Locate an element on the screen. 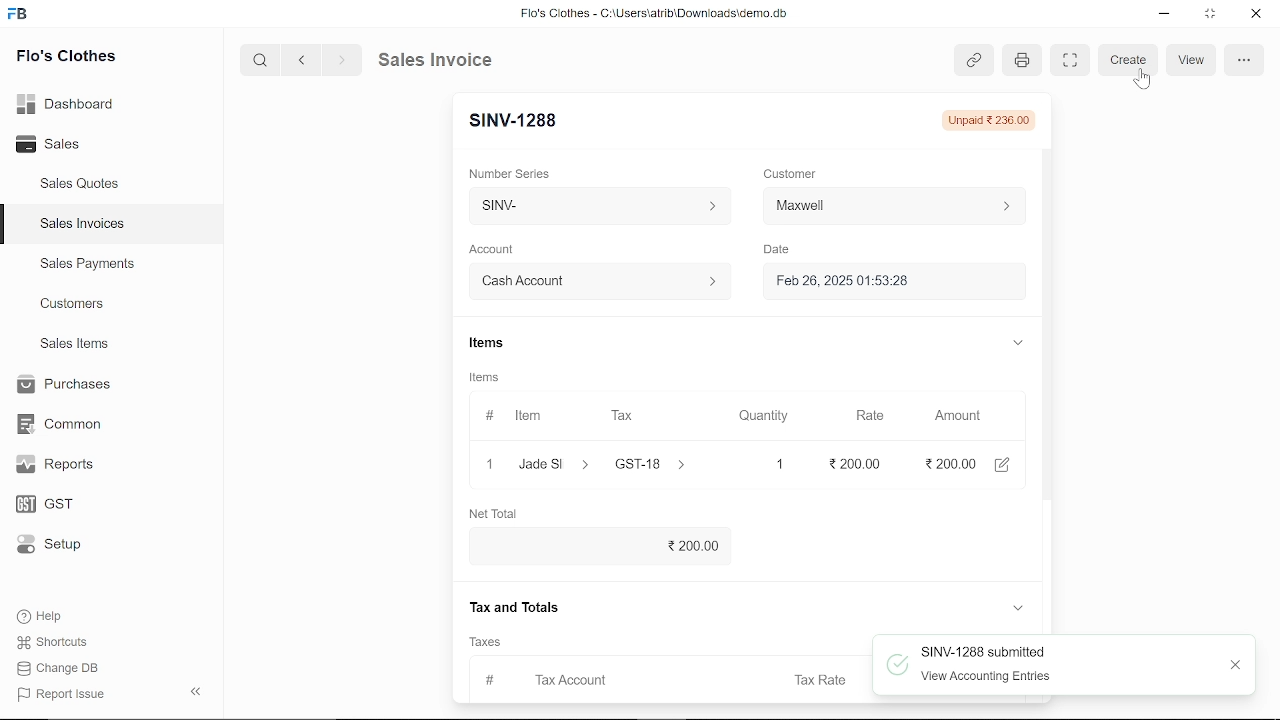  Purchases is located at coordinates (62, 385).